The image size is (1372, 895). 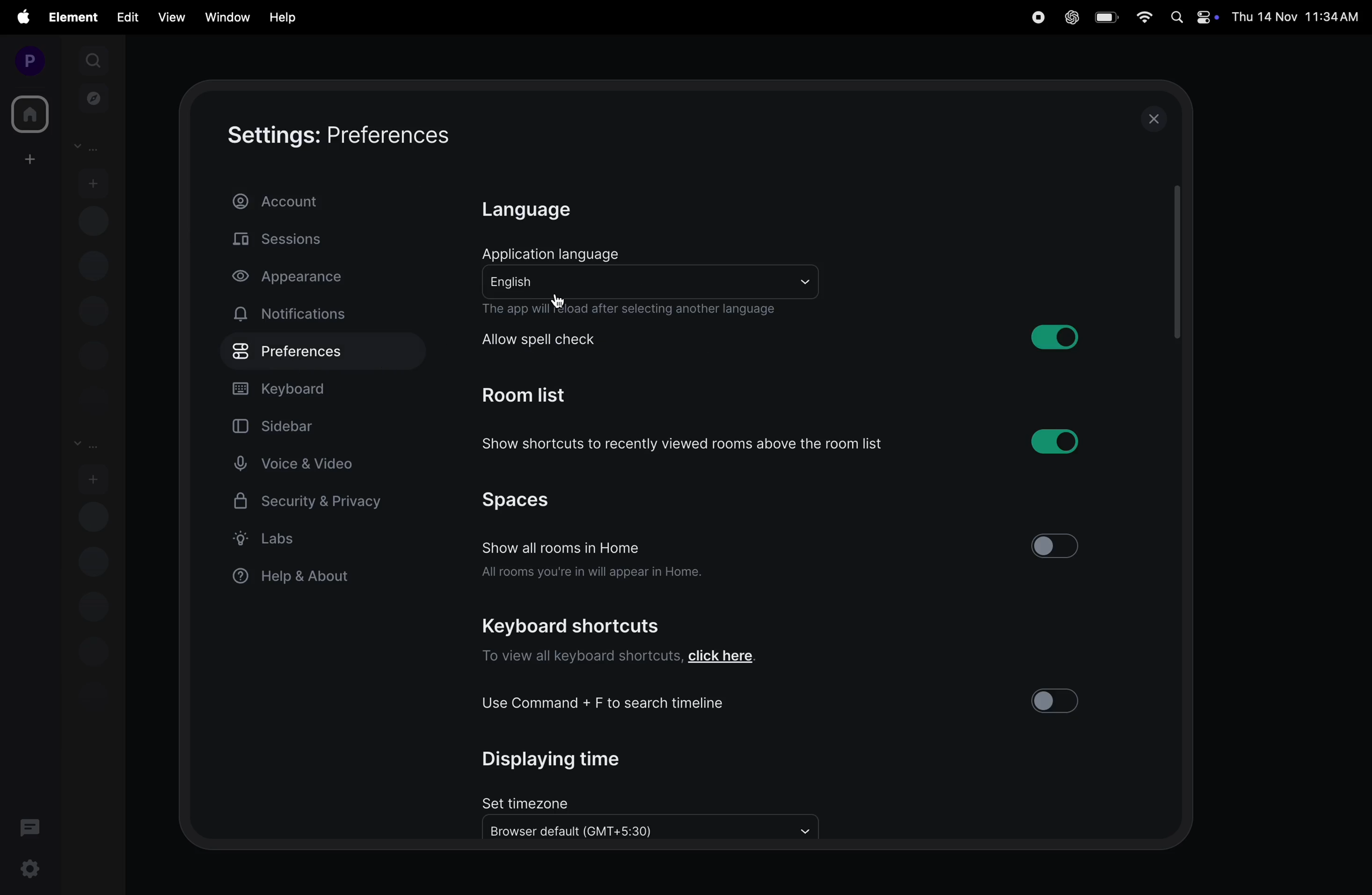 I want to click on to view all keyboard shortcuts, so click(x=576, y=659).